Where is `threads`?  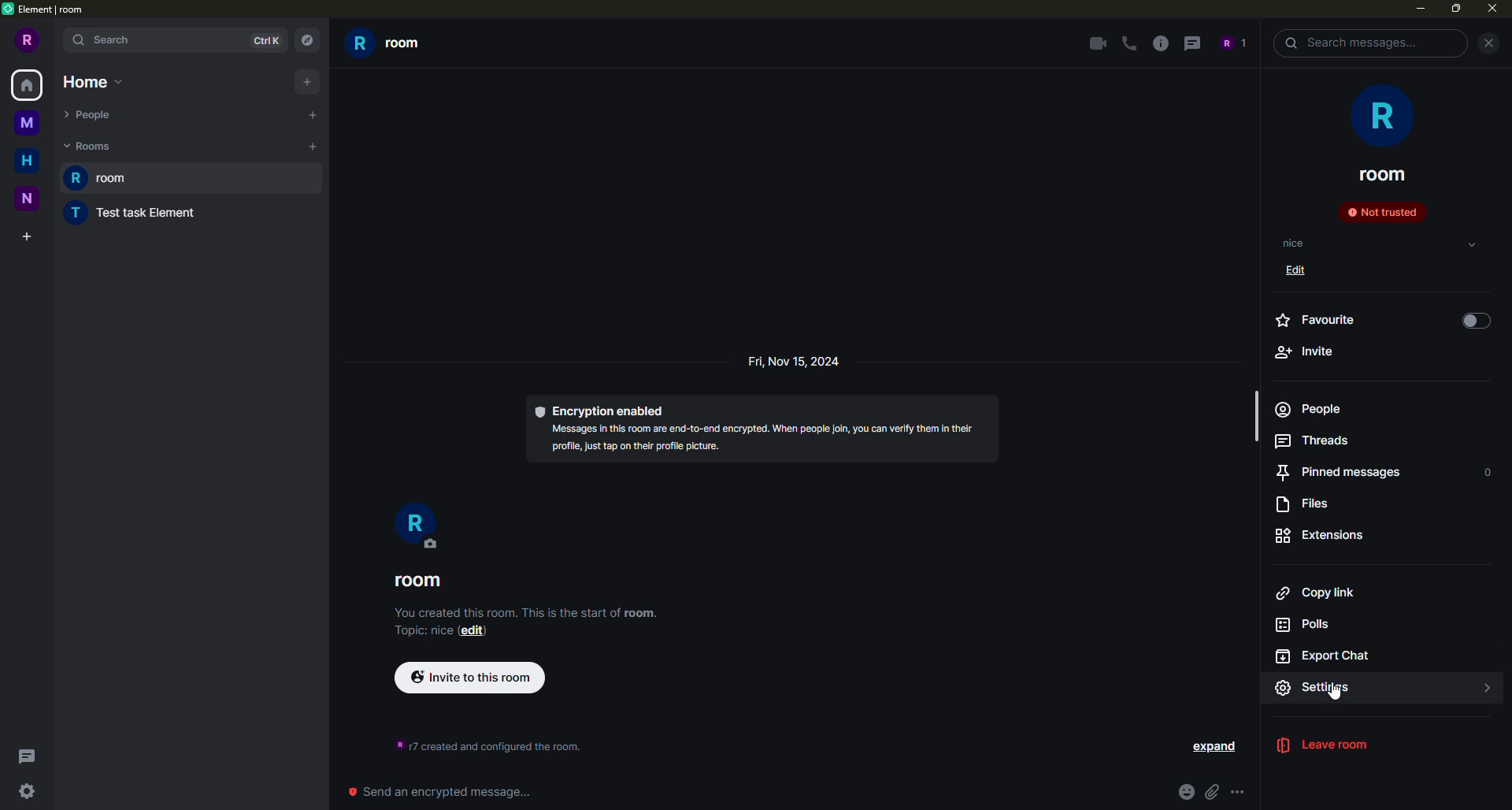
threads is located at coordinates (31, 756).